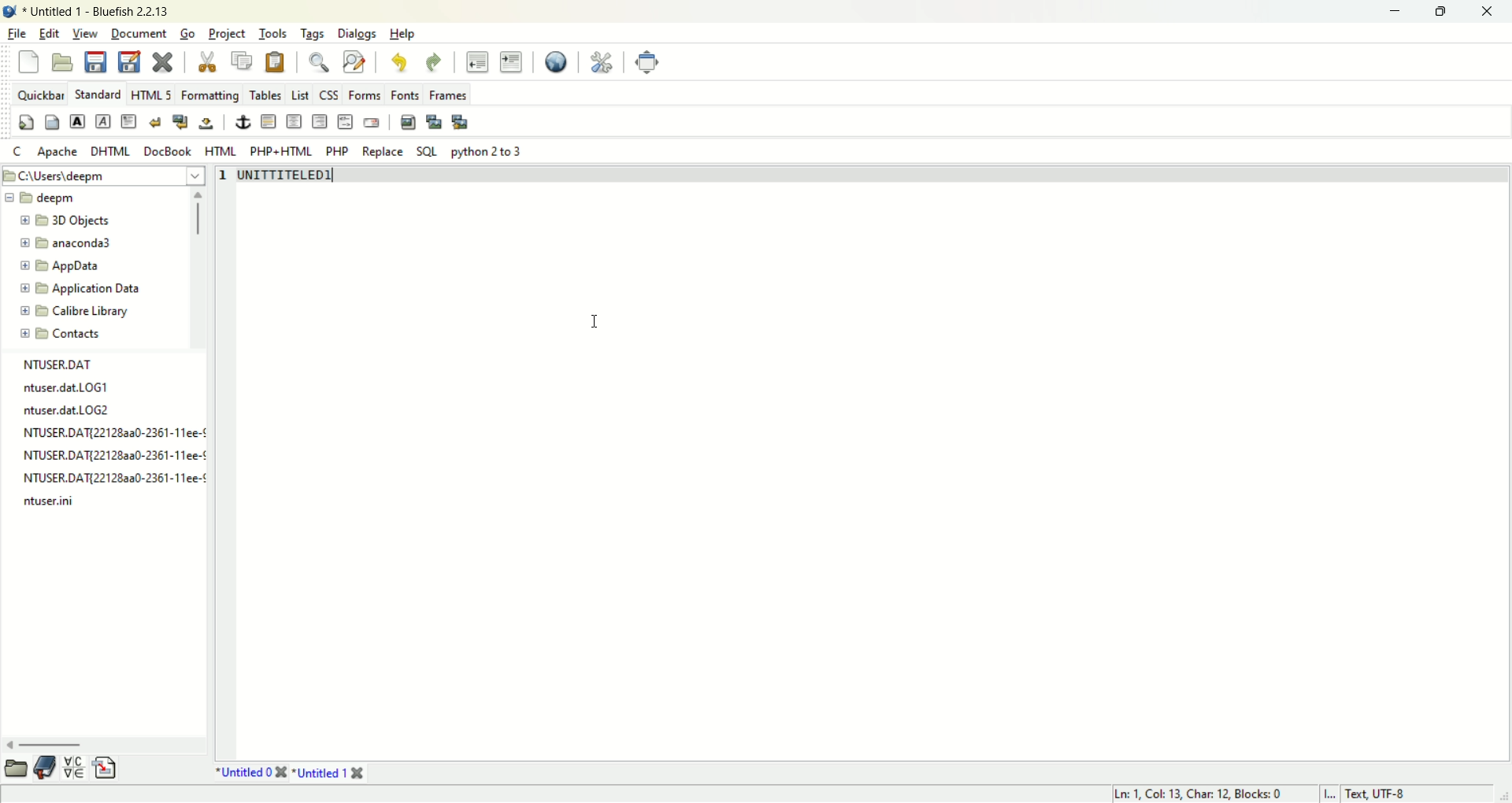 This screenshot has height=803, width=1512. Describe the element at coordinates (555, 61) in the screenshot. I see `preview in browser` at that location.